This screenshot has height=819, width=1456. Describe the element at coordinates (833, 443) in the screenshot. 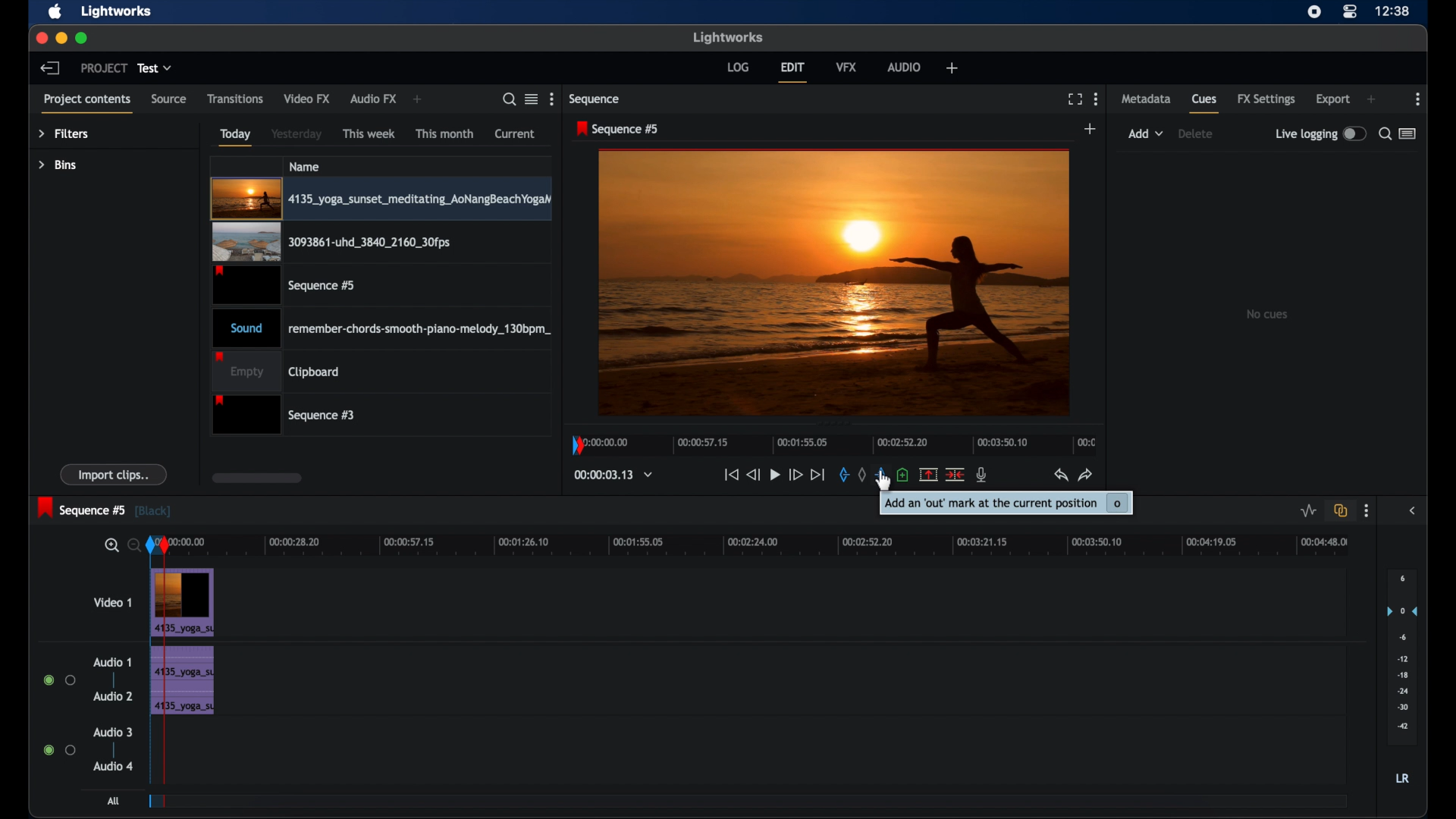

I see `timeline  scale` at that location.